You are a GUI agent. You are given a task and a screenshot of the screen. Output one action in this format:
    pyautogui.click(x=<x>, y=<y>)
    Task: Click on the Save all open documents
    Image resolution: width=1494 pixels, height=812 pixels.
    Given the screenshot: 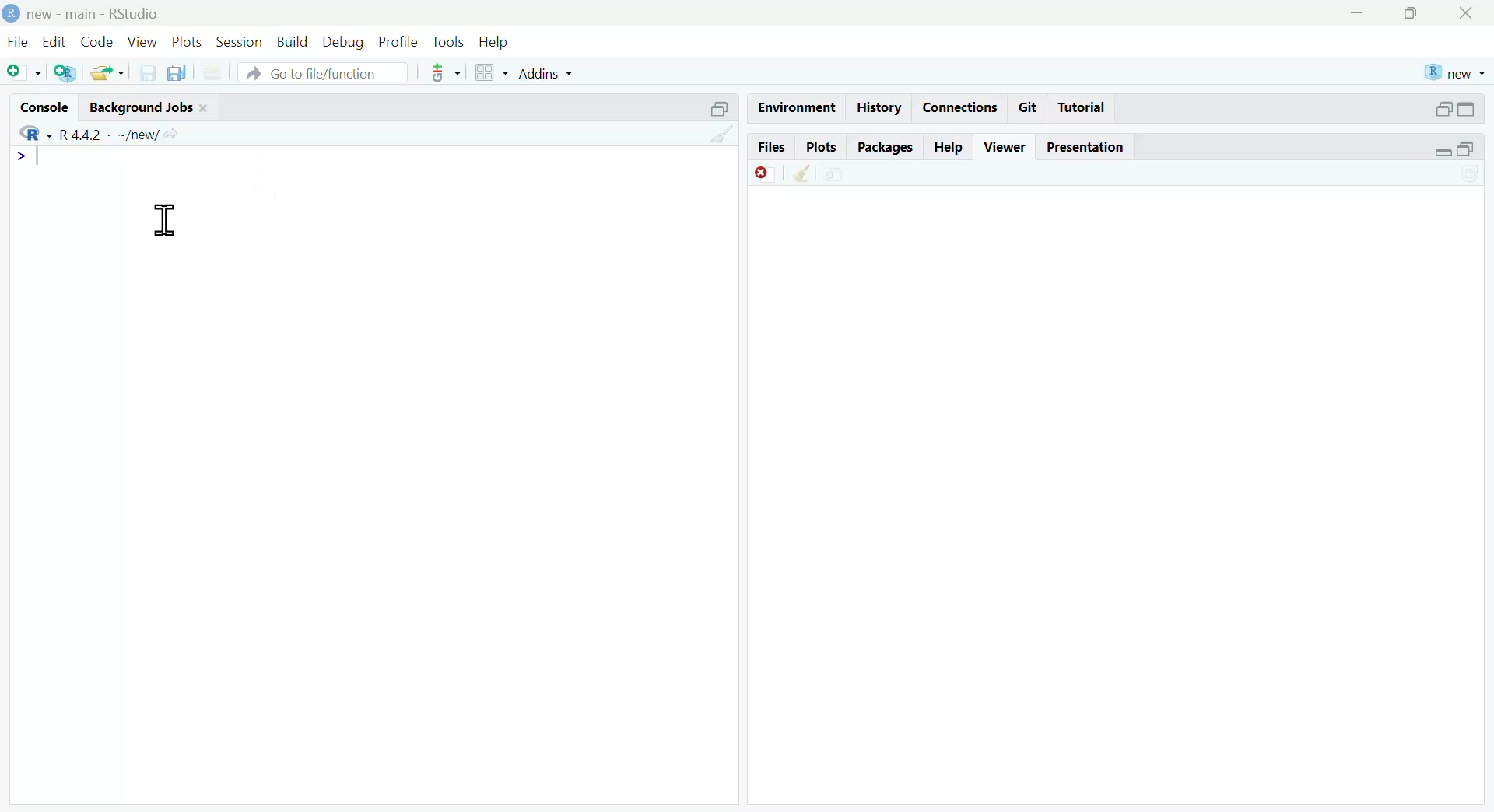 What is the action you would take?
    pyautogui.click(x=181, y=71)
    